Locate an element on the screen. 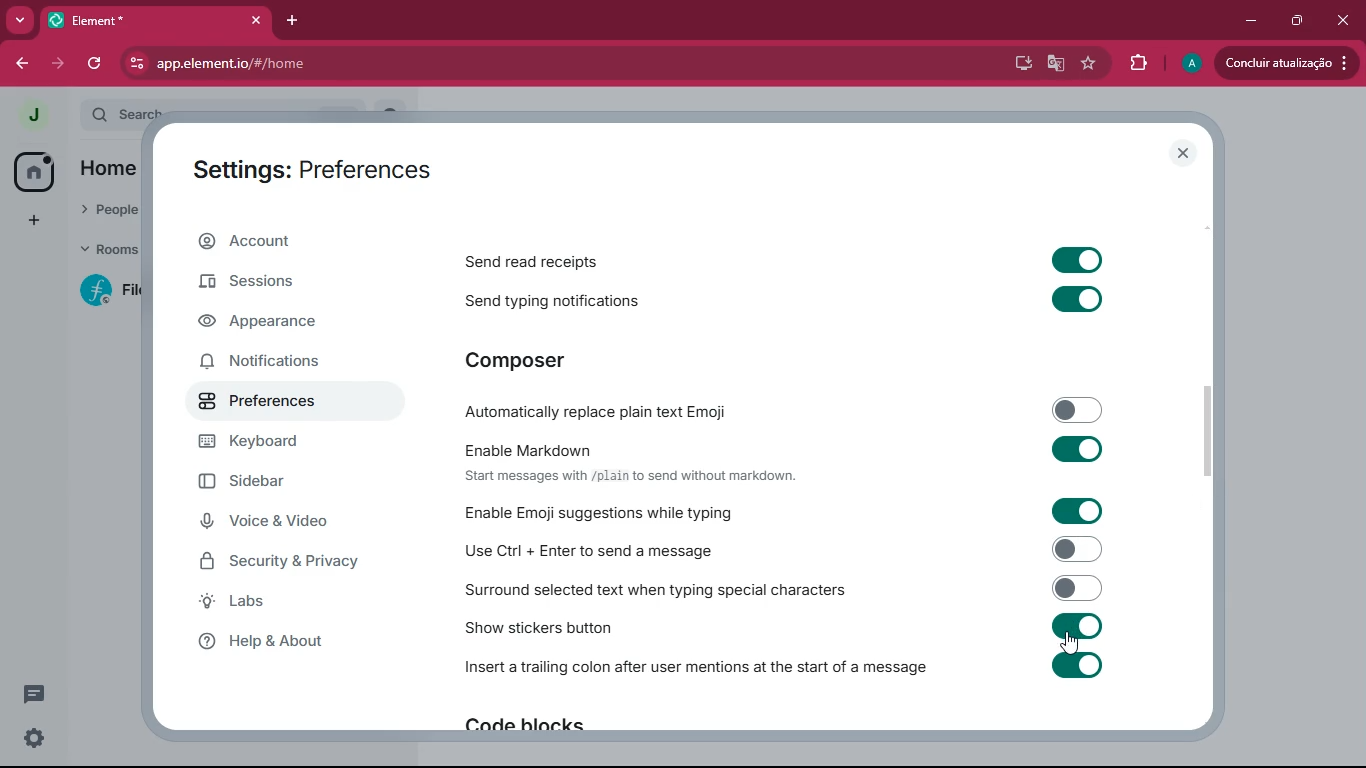 Image resolution: width=1366 pixels, height=768 pixels. cursor is located at coordinates (1069, 641).